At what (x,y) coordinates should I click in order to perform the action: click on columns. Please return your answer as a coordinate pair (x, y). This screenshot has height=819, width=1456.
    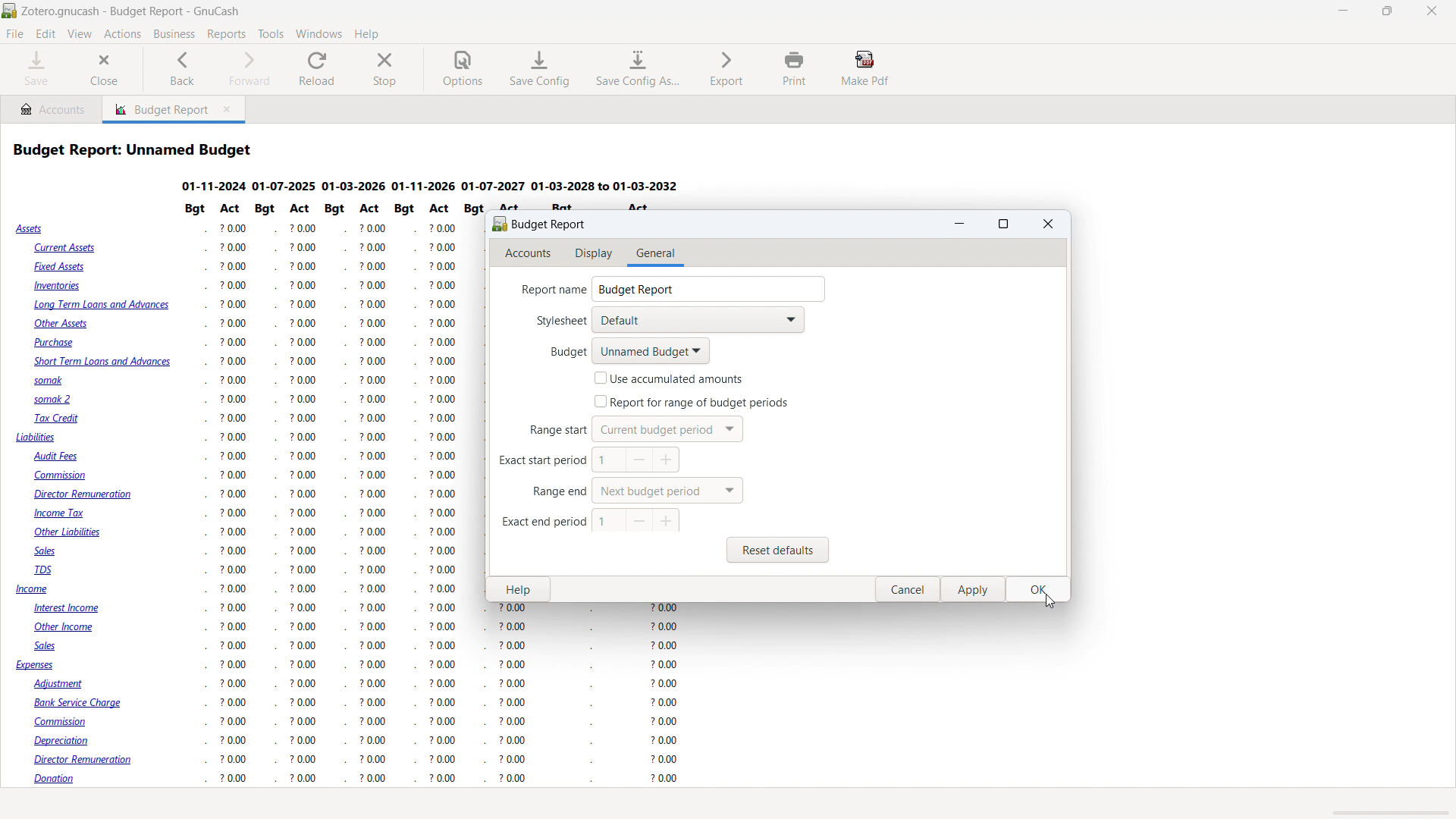
    Looking at the image, I should click on (320, 497).